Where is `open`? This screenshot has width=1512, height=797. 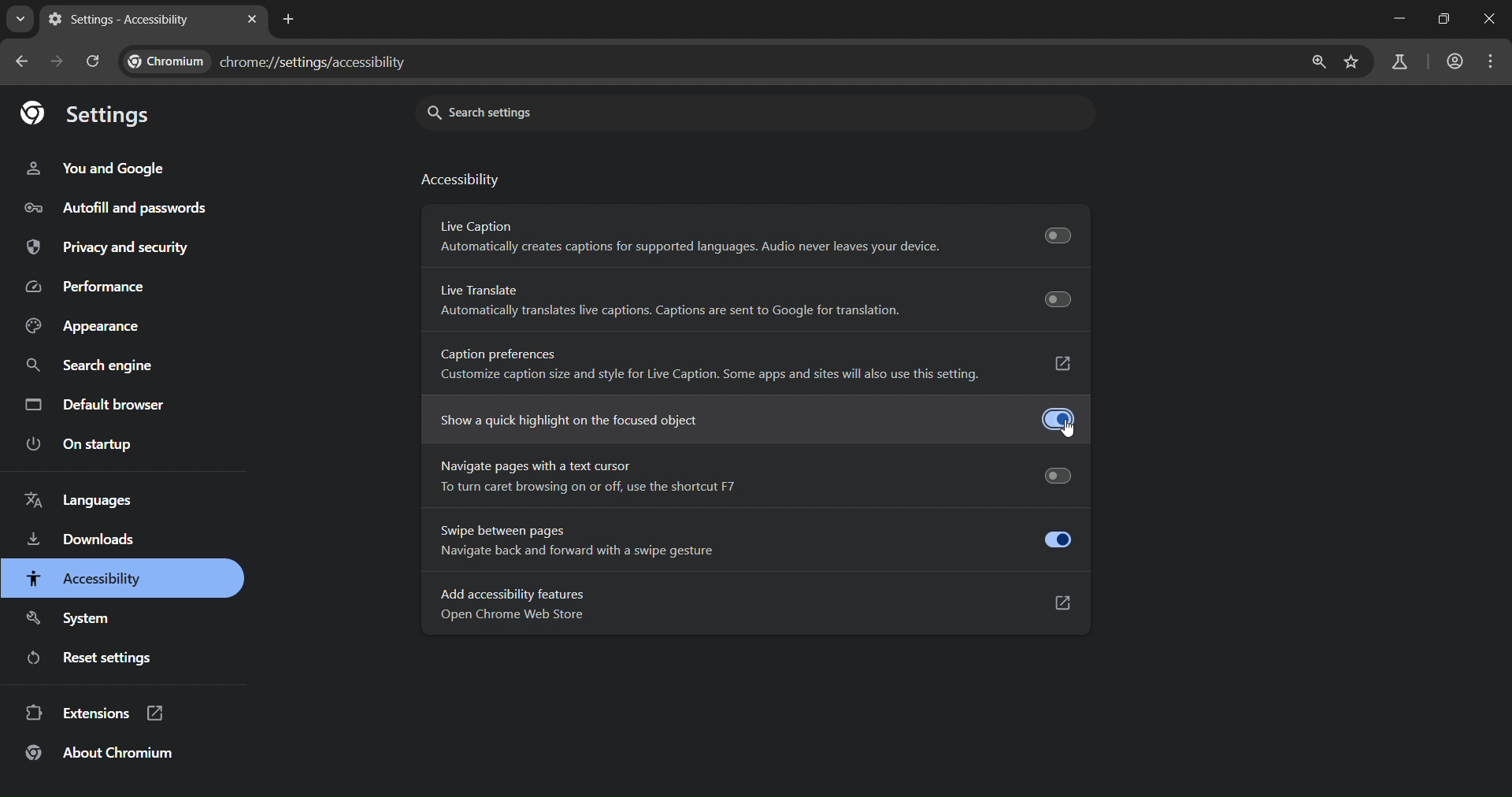 open is located at coordinates (1065, 606).